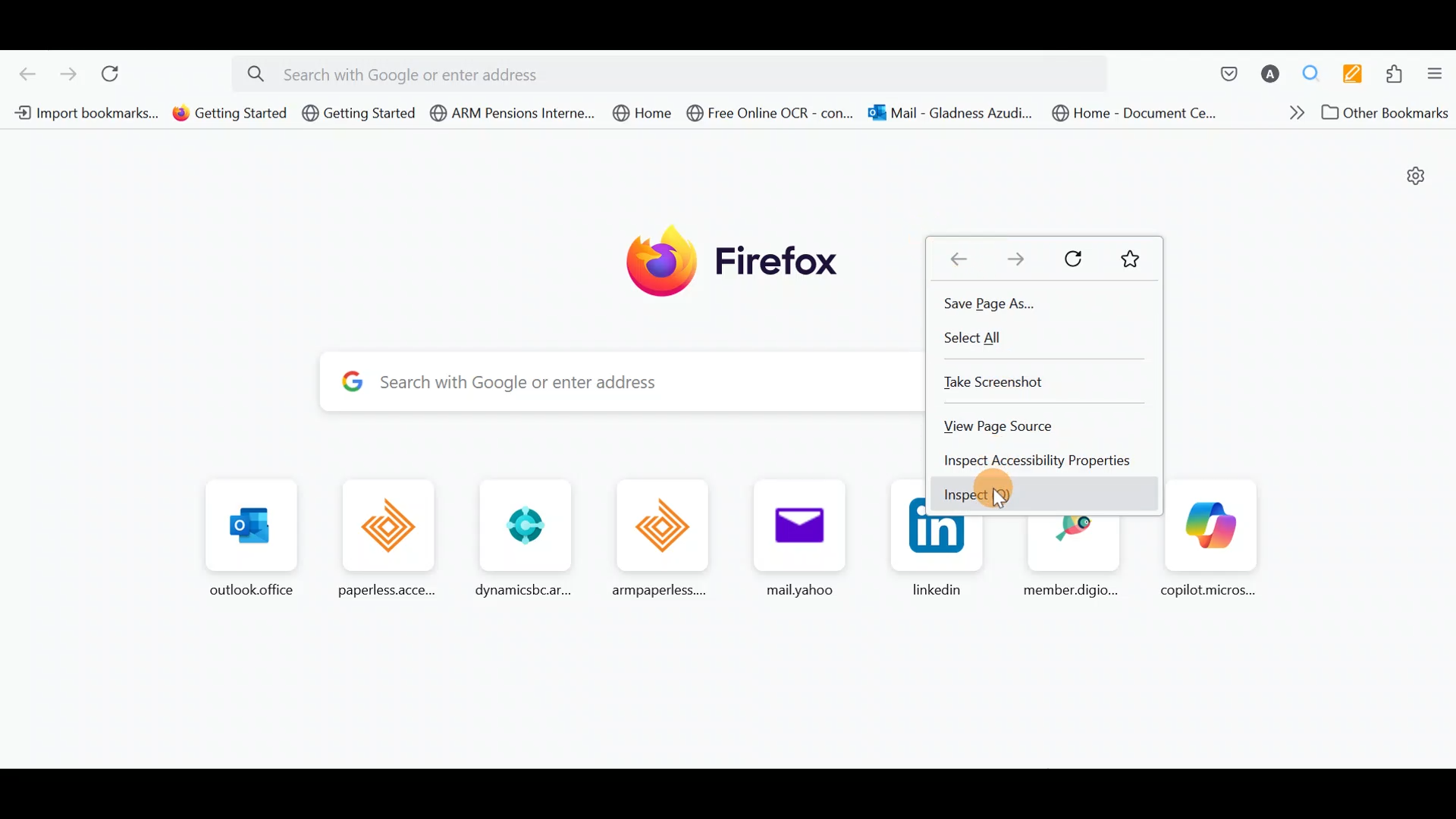 Image resolution: width=1456 pixels, height=819 pixels. What do you see at coordinates (940, 560) in the screenshot?
I see `linkedin` at bounding box center [940, 560].